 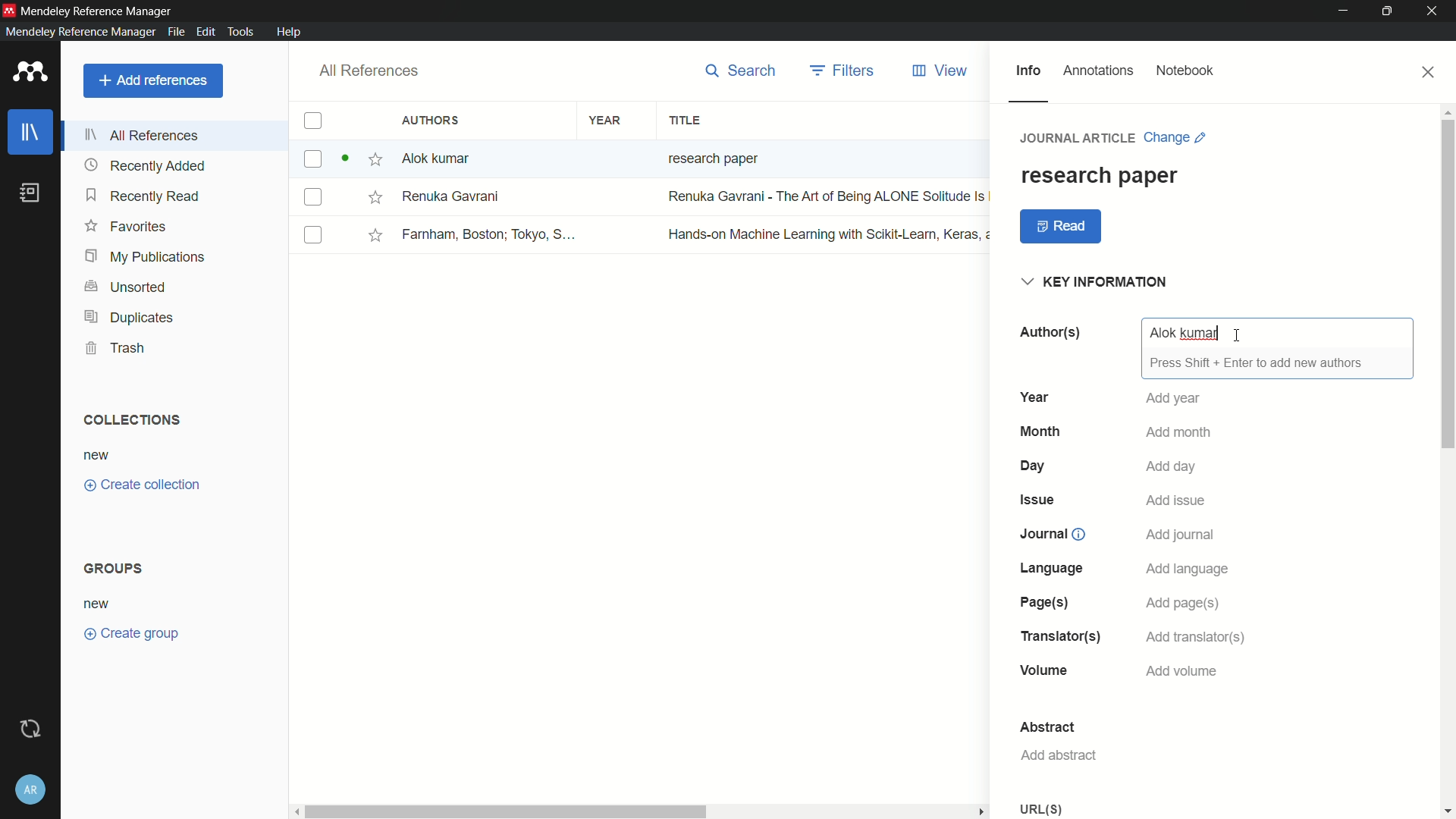 I want to click on add abstract, so click(x=1057, y=755).